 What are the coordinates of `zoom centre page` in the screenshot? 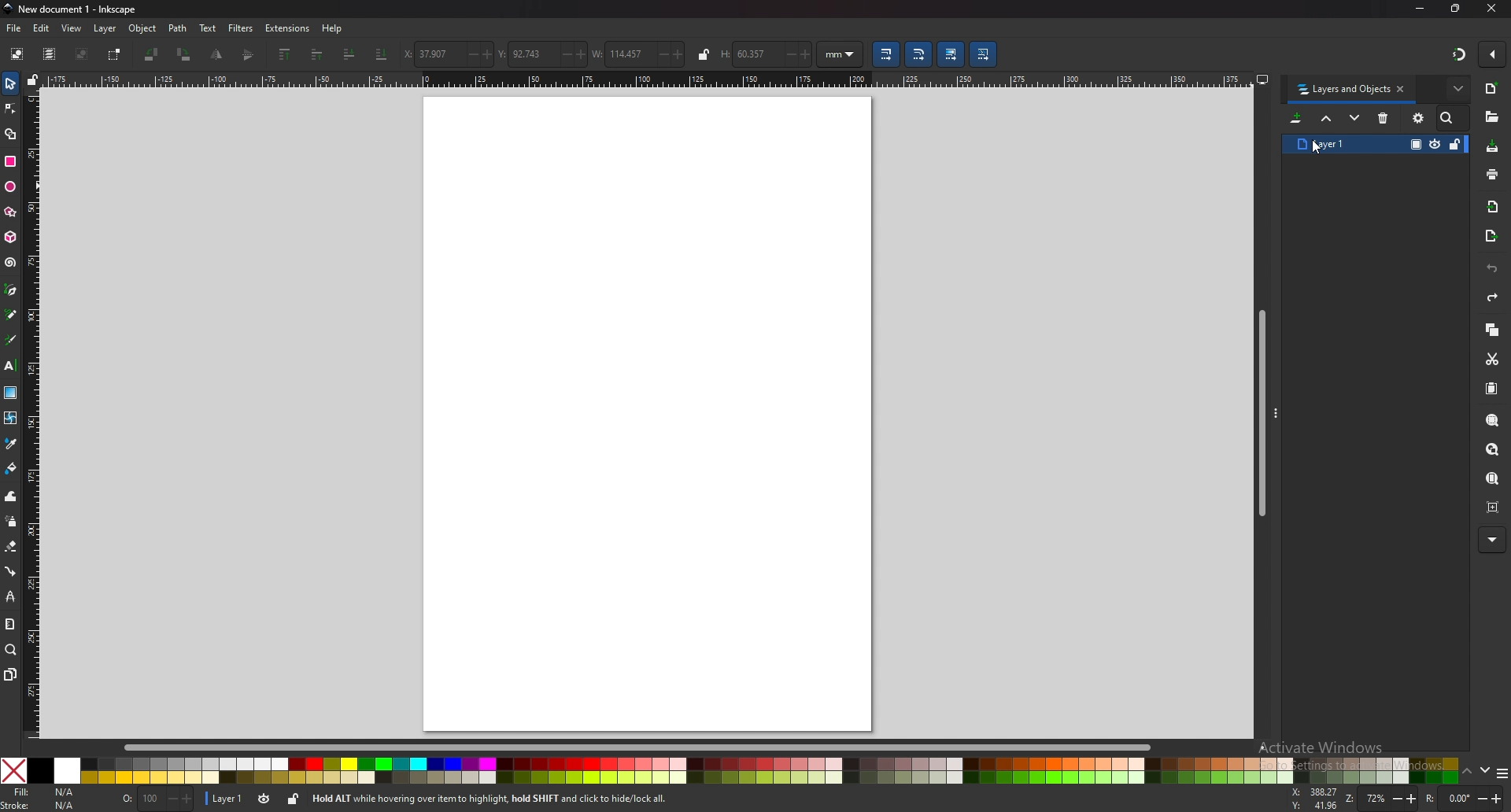 It's located at (1494, 507).